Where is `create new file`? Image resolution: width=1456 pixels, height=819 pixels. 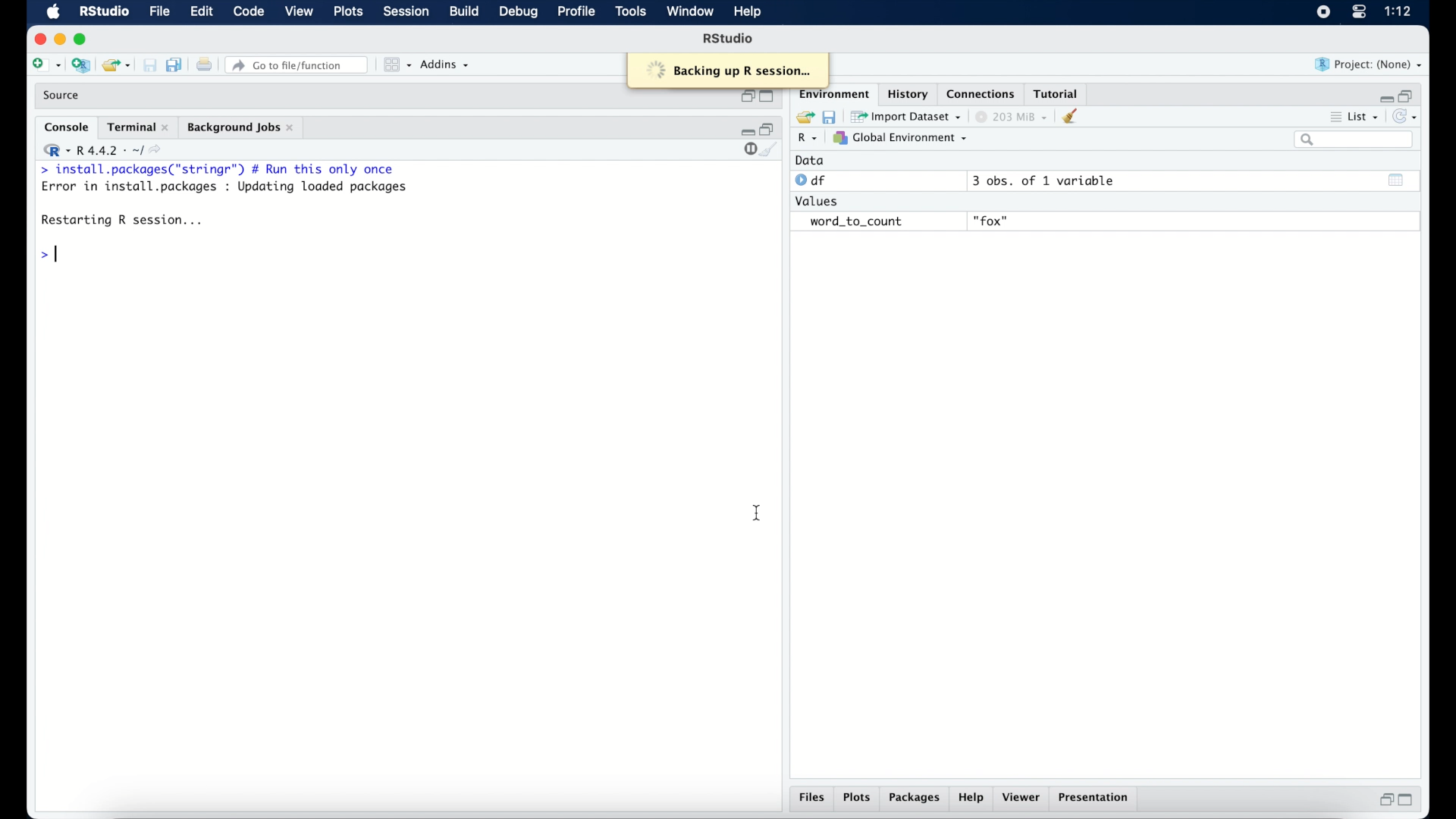 create new file is located at coordinates (45, 66).